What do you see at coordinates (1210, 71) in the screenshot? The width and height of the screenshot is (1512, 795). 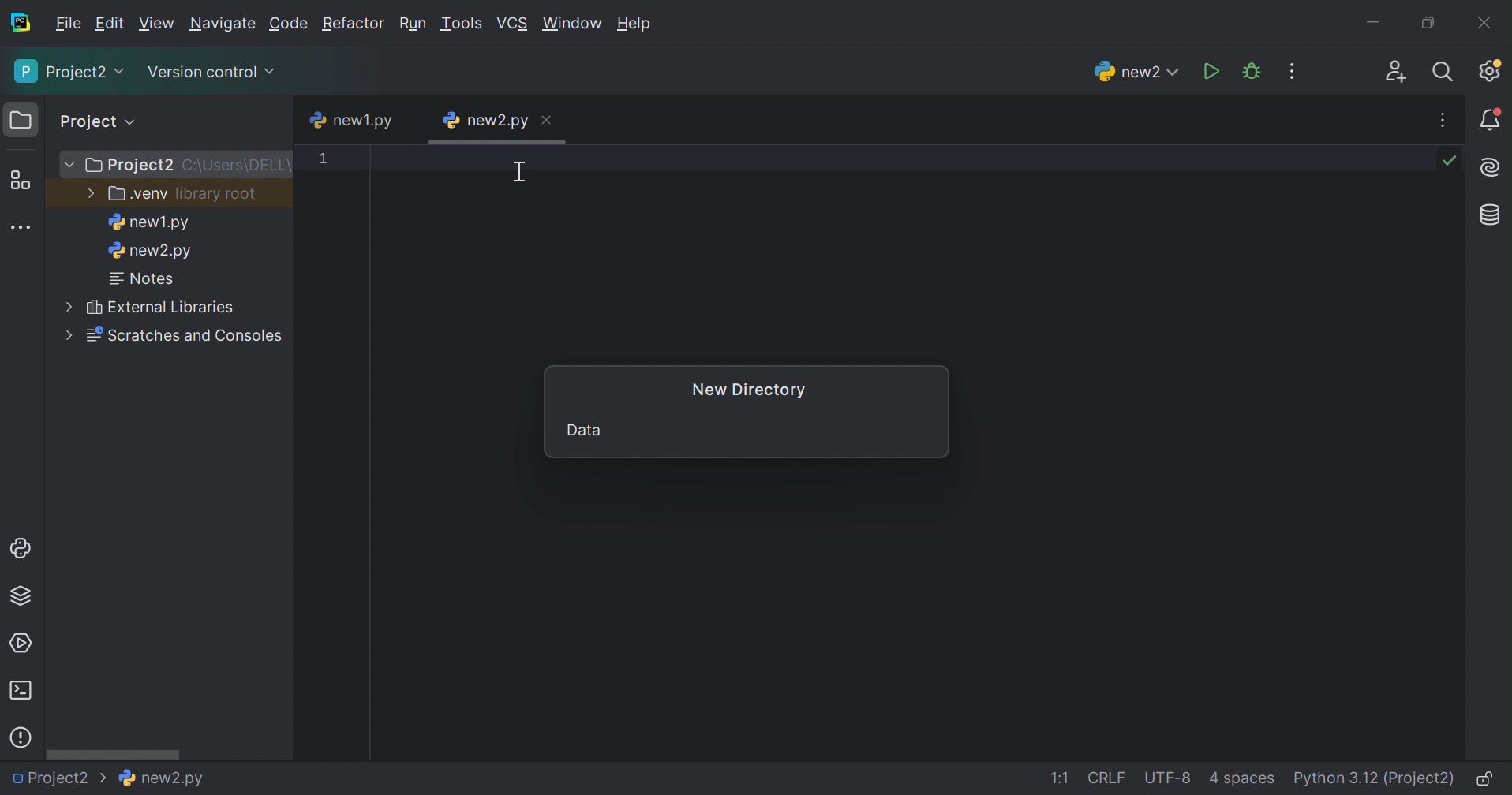 I see `Run` at bounding box center [1210, 71].